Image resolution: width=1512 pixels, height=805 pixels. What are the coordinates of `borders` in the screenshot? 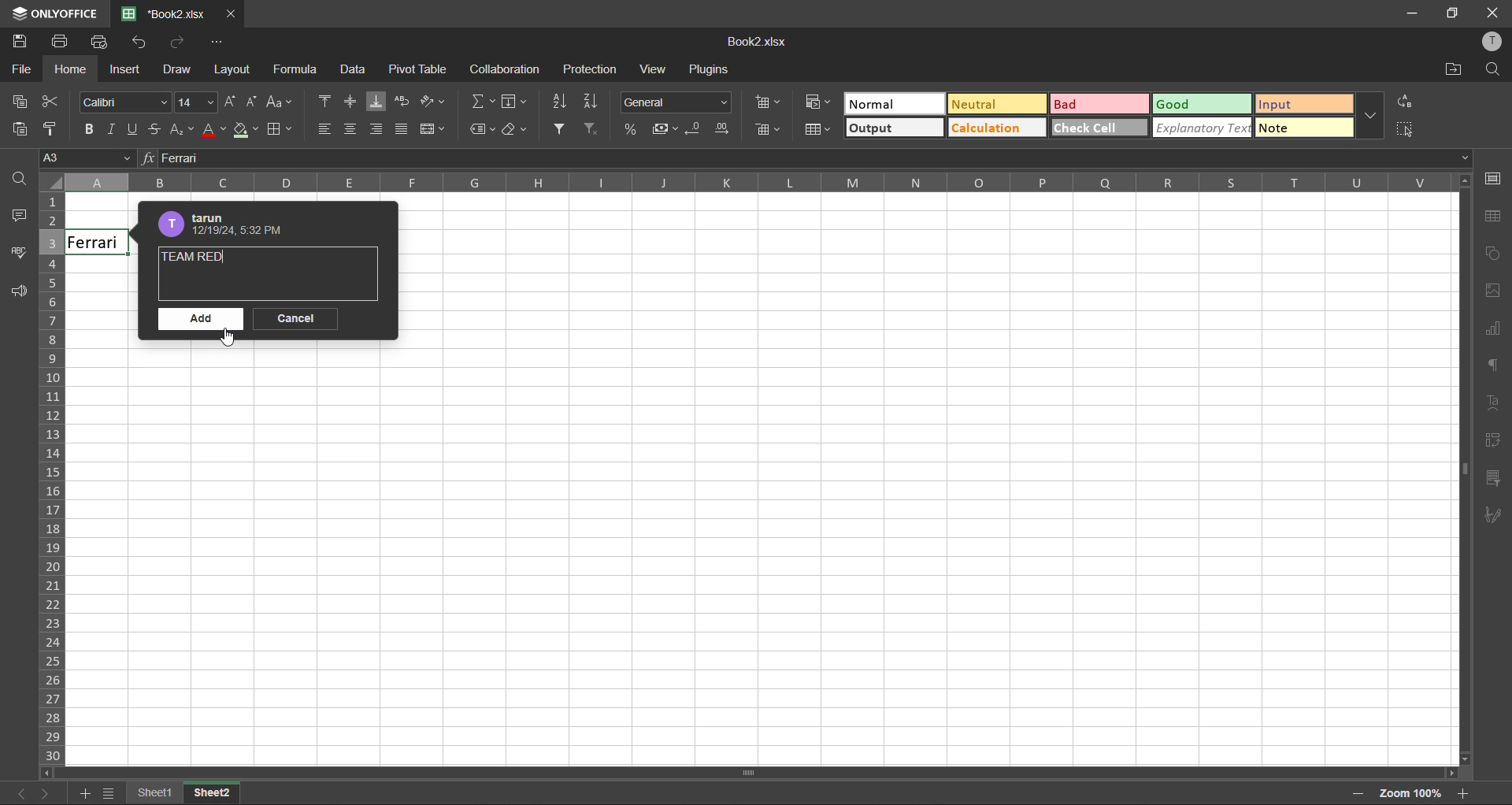 It's located at (279, 130).